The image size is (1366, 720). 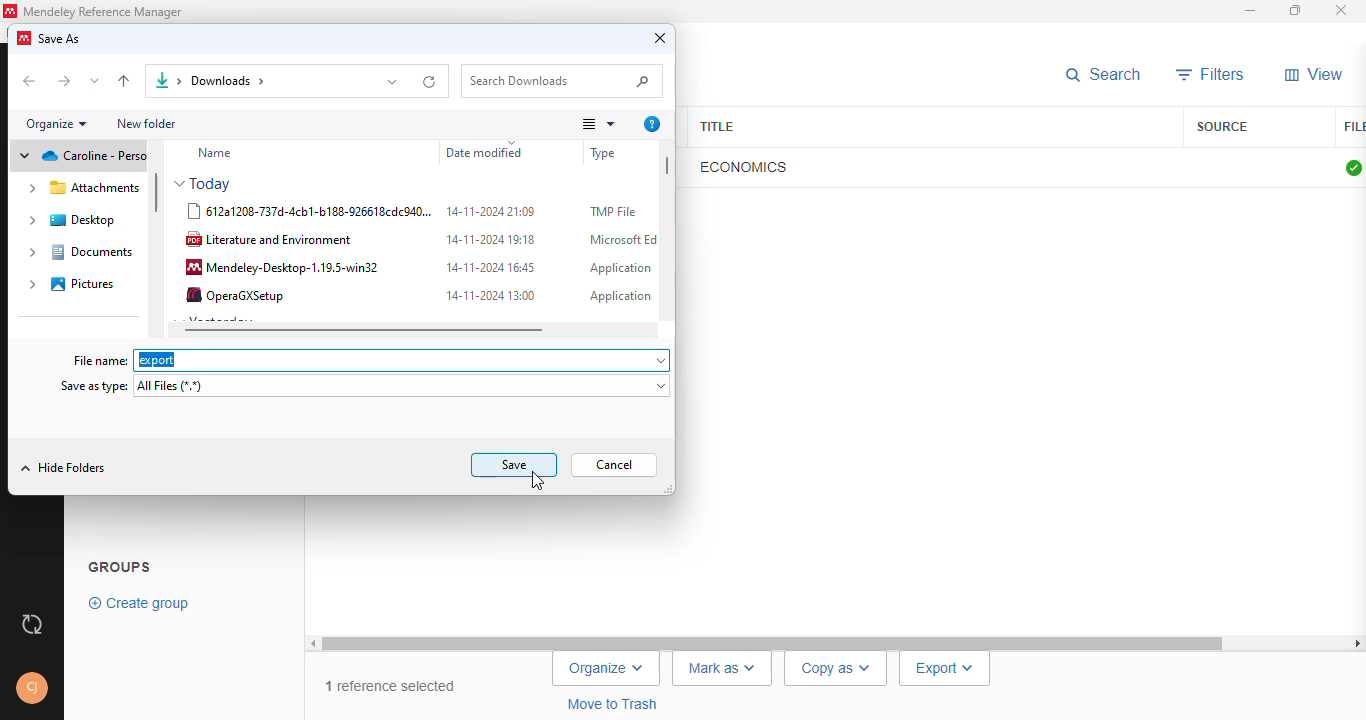 What do you see at coordinates (32, 688) in the screenshot?
I see `profile` at bounding box center [32, 688].